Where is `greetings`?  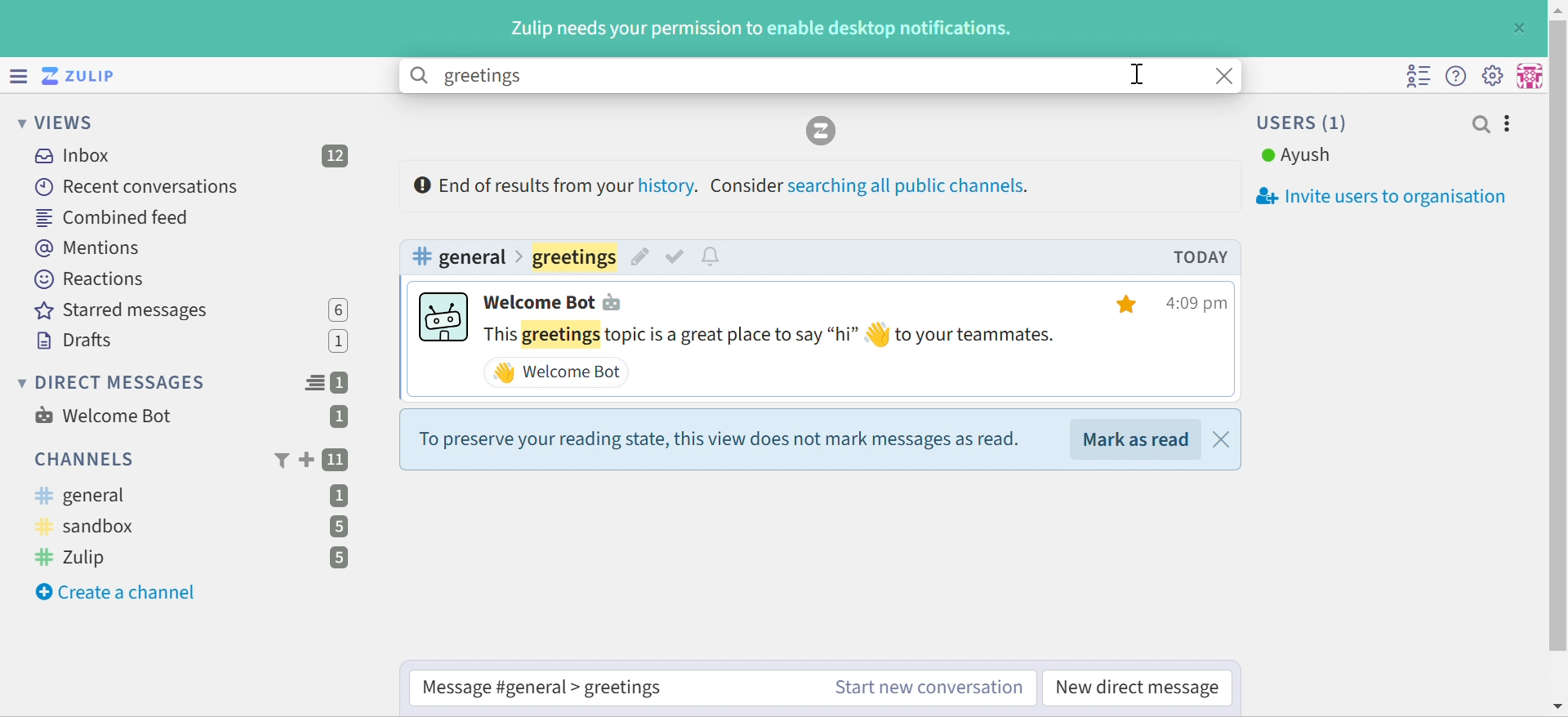
greetings is located at coordinates (574, 256).